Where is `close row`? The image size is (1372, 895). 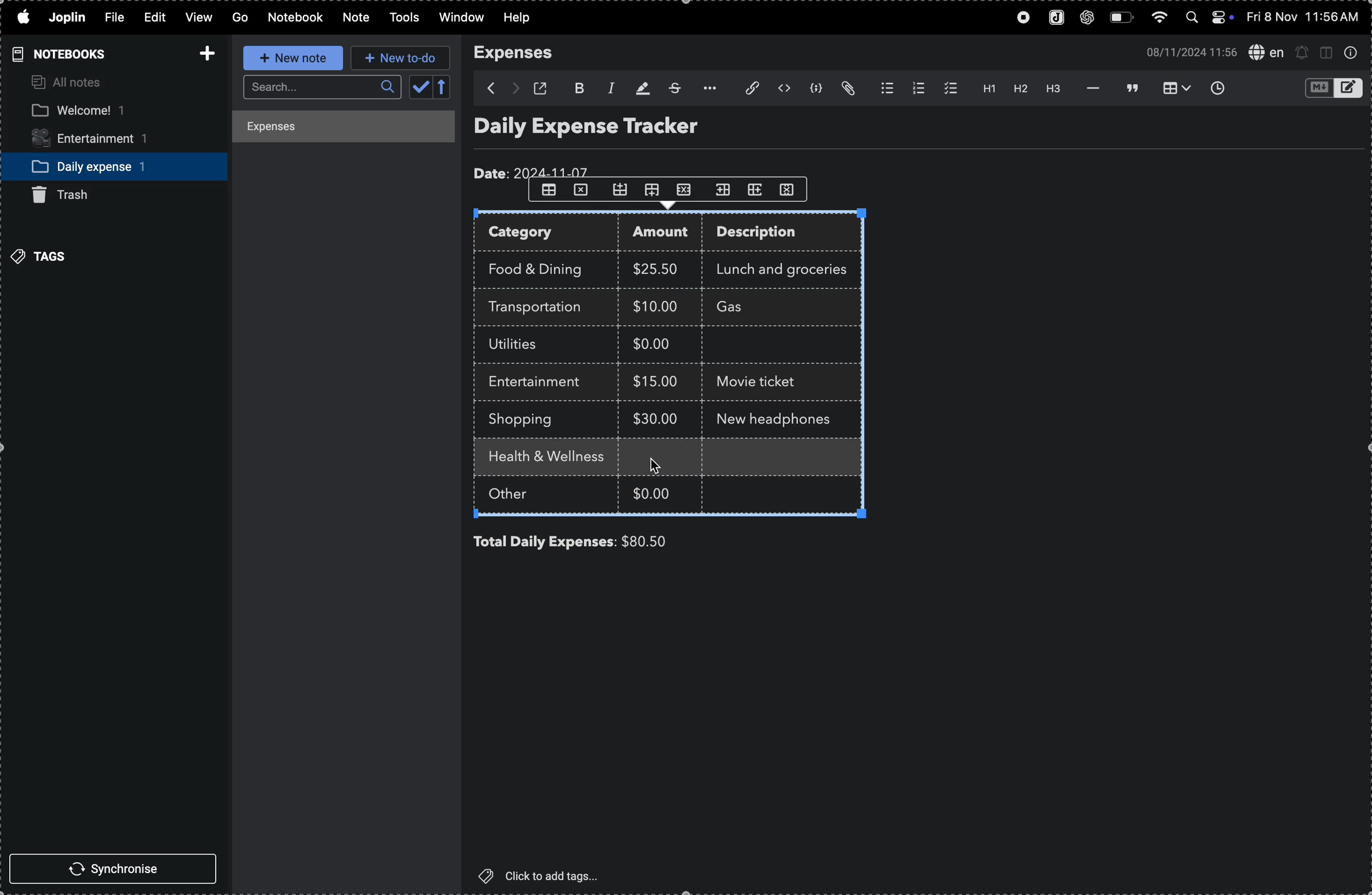 close row is located at coordinates (582, 193).